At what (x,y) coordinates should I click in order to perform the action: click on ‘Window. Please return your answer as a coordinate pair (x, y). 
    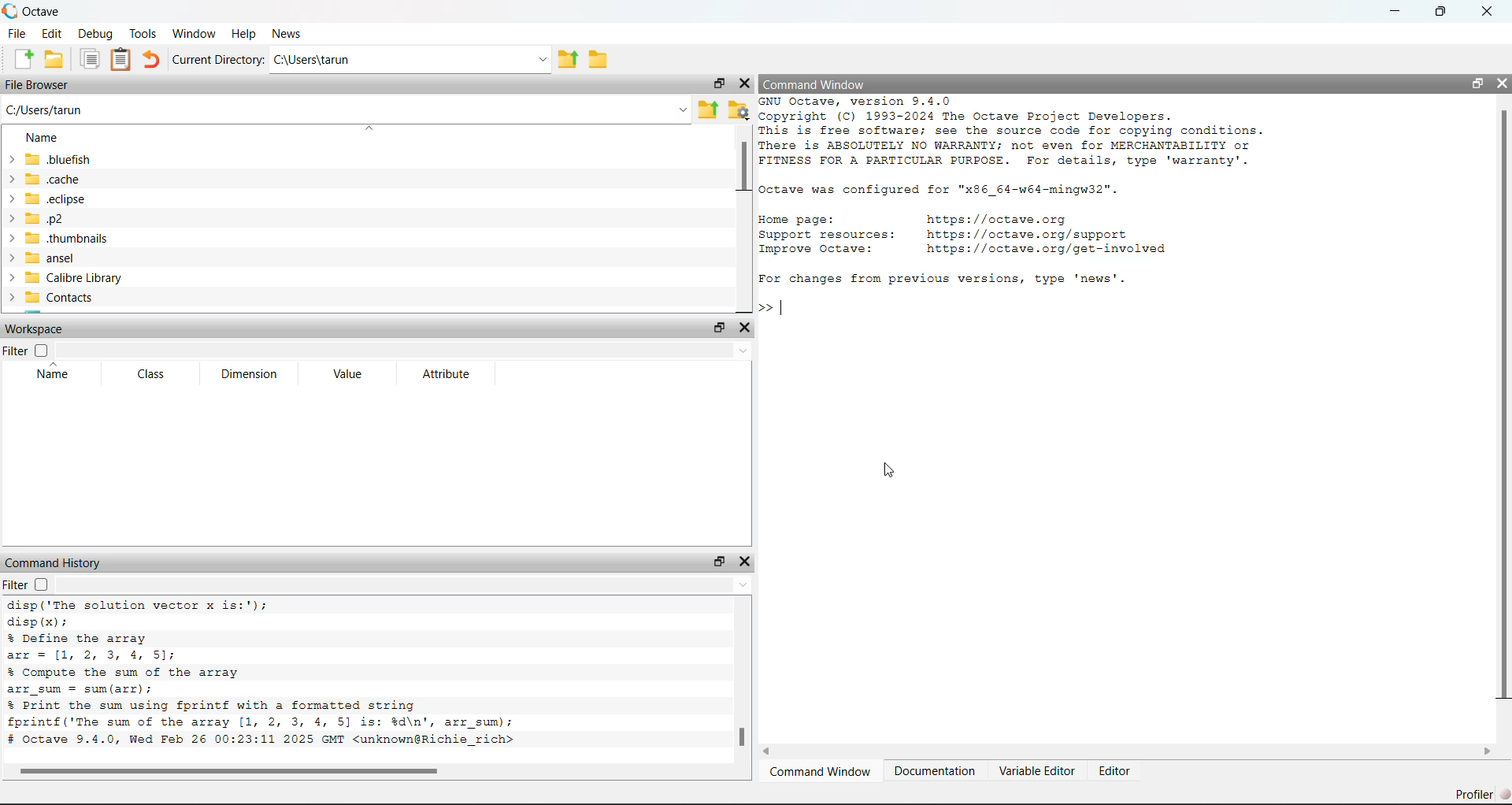
    Looking at the image, I should click on (195, 32).